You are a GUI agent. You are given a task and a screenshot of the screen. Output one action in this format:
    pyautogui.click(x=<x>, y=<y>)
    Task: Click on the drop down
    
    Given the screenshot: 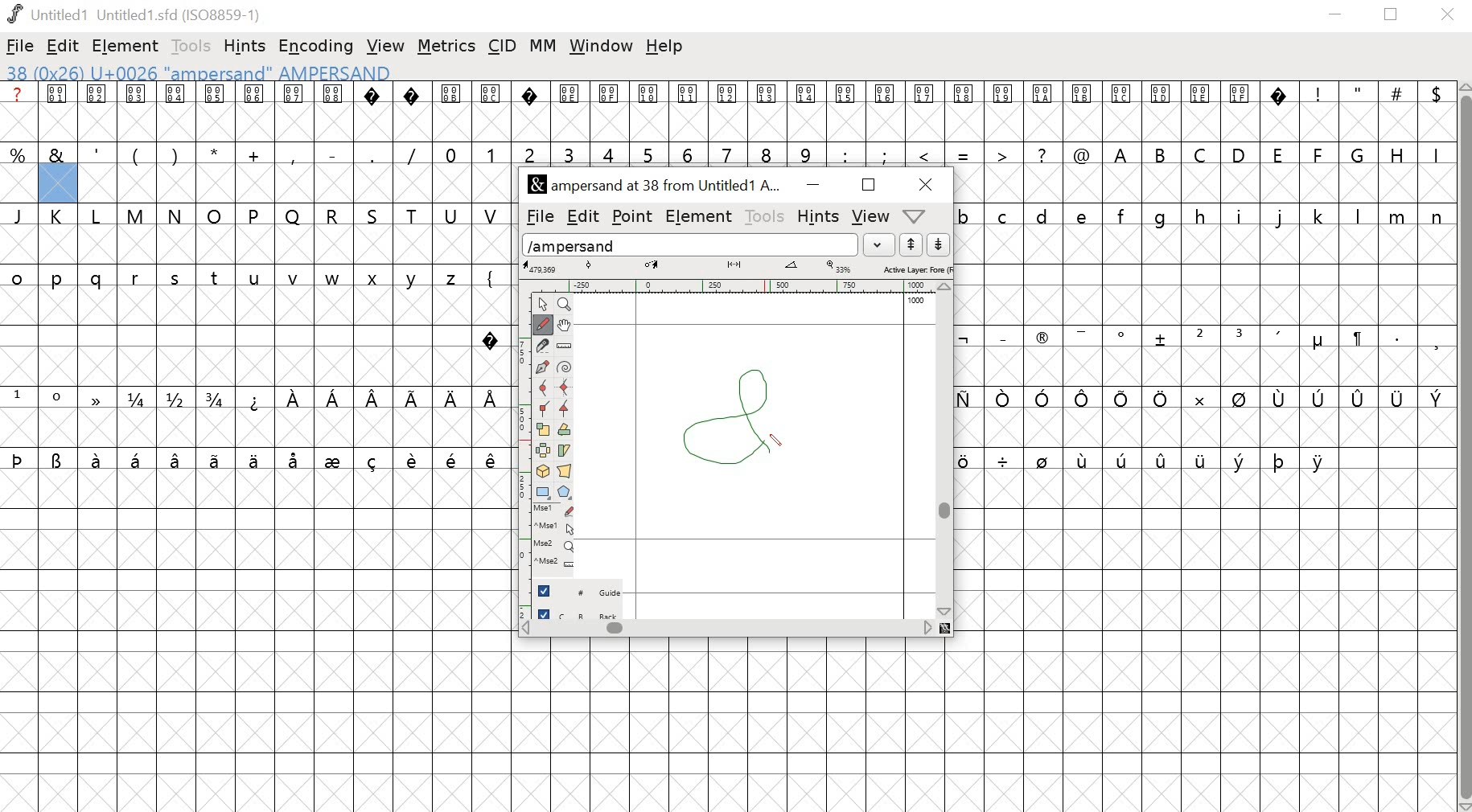 What is the action you would take?
    pyautogui.click(x=882, y=244)
    